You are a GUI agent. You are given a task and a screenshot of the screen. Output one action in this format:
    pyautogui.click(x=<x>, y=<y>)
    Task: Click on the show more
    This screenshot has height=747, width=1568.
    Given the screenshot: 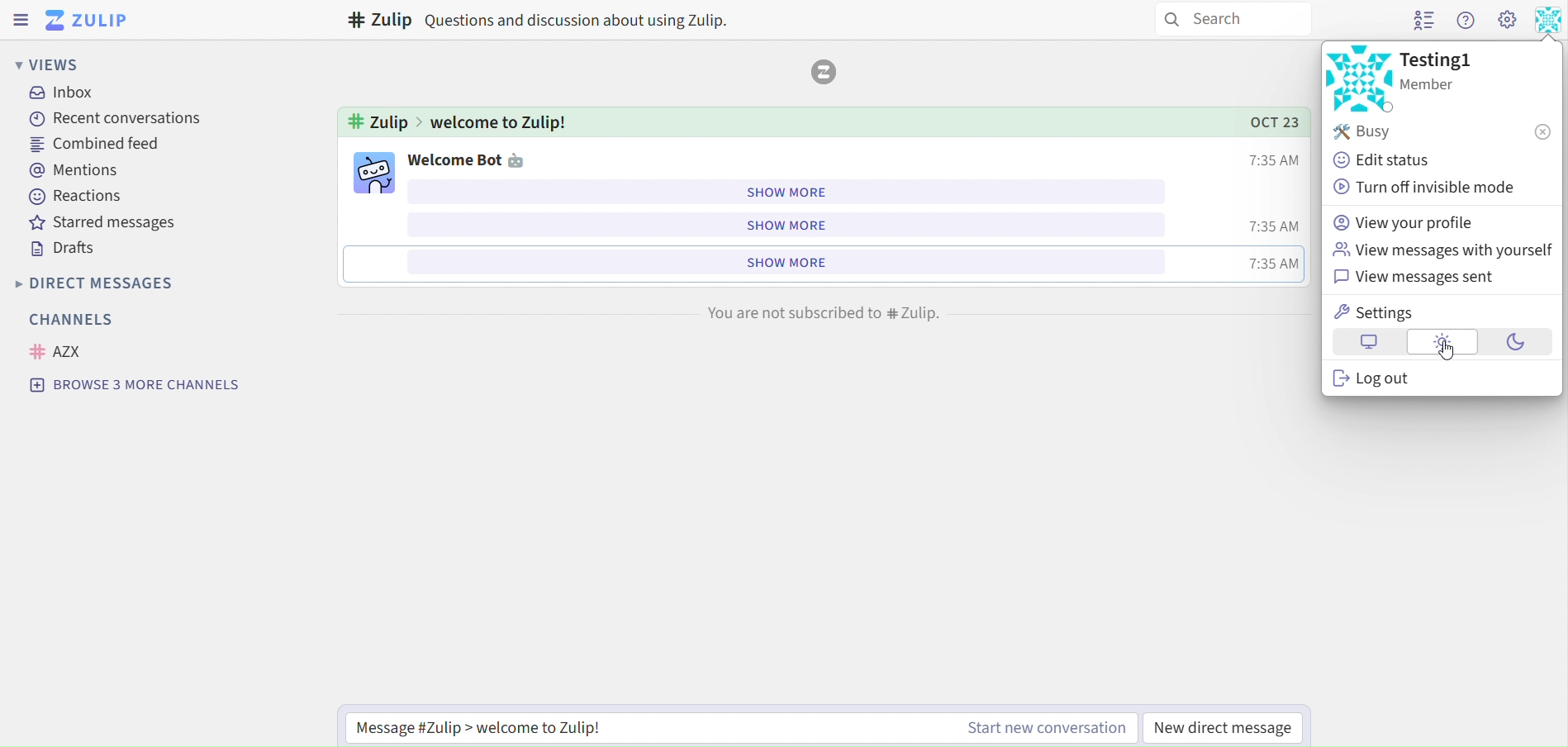 What is the action you would take?
    pyautogui.click(x=791, y=193)
    